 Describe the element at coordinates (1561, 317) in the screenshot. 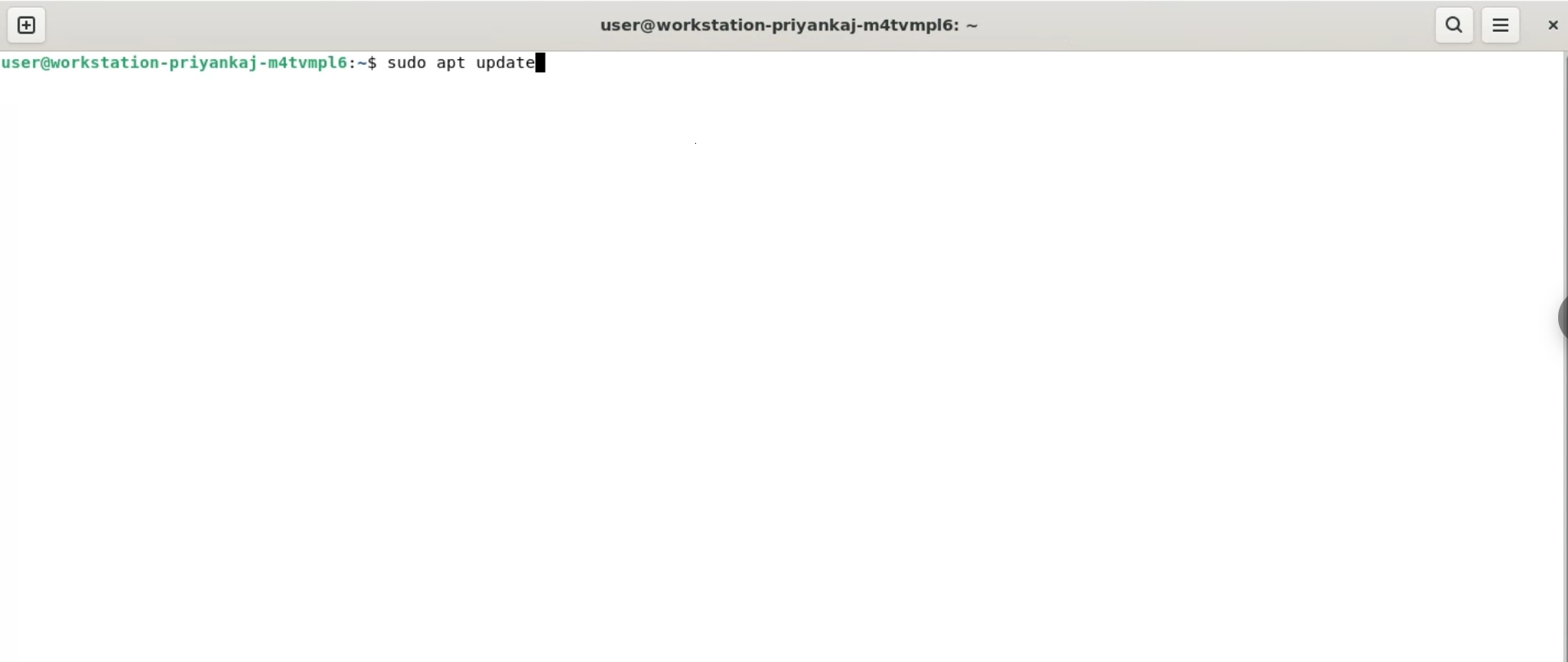

I see `sidebar` at that location.